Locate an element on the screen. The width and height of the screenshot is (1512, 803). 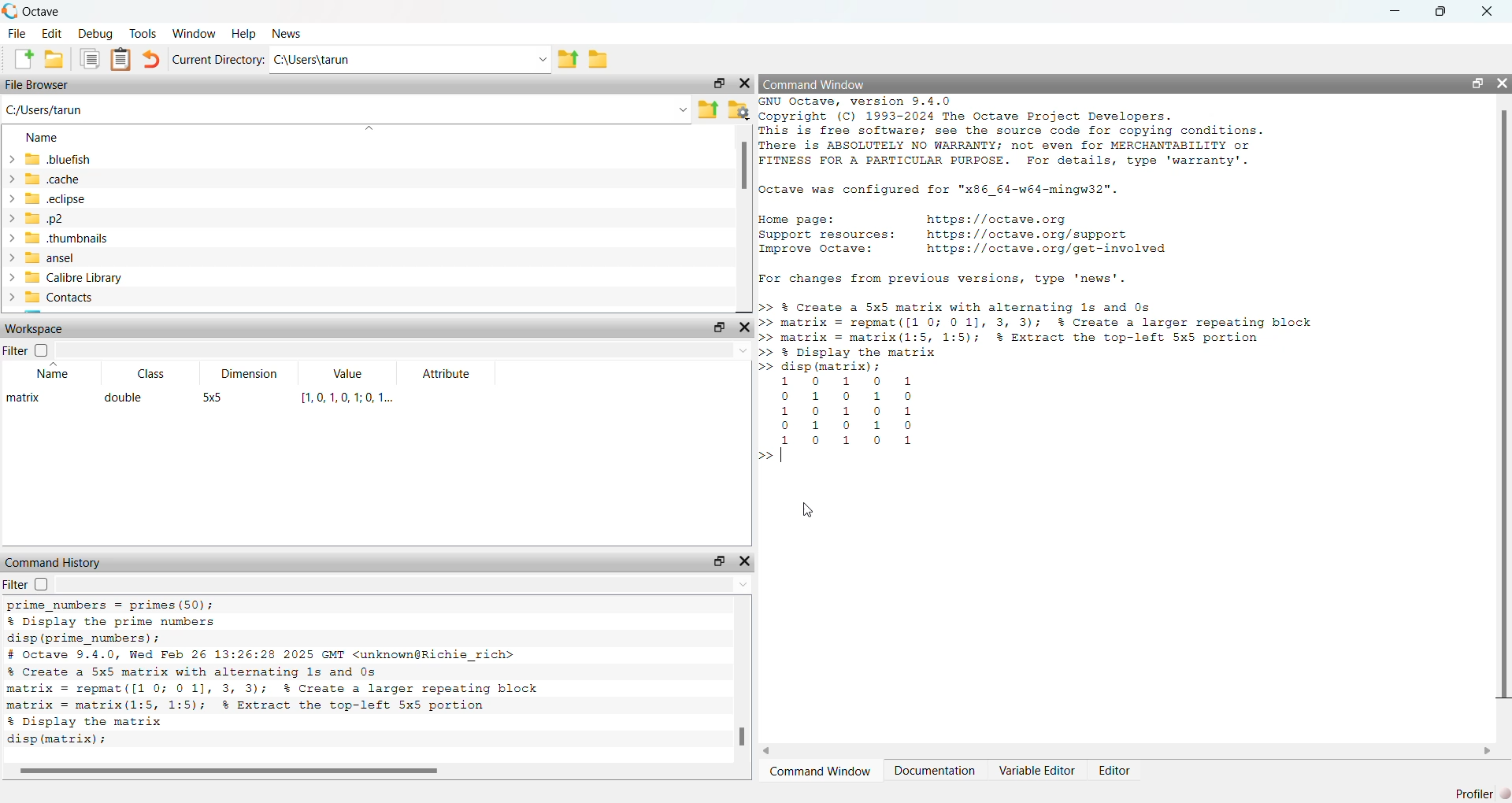
GNU Octave, version 9.4.0

Copyright (C) 1993-2024 The Octave Project Developers.

This is free software; see the source code for copying conditions.
There is ABSOLUTELY NO WARRANTY; not even for MERCHANTABILITY or
FITNESS FOR A PARTICULAR PURPOSE. For details, type 'warranty'. is located at coordinates (1010, 132).